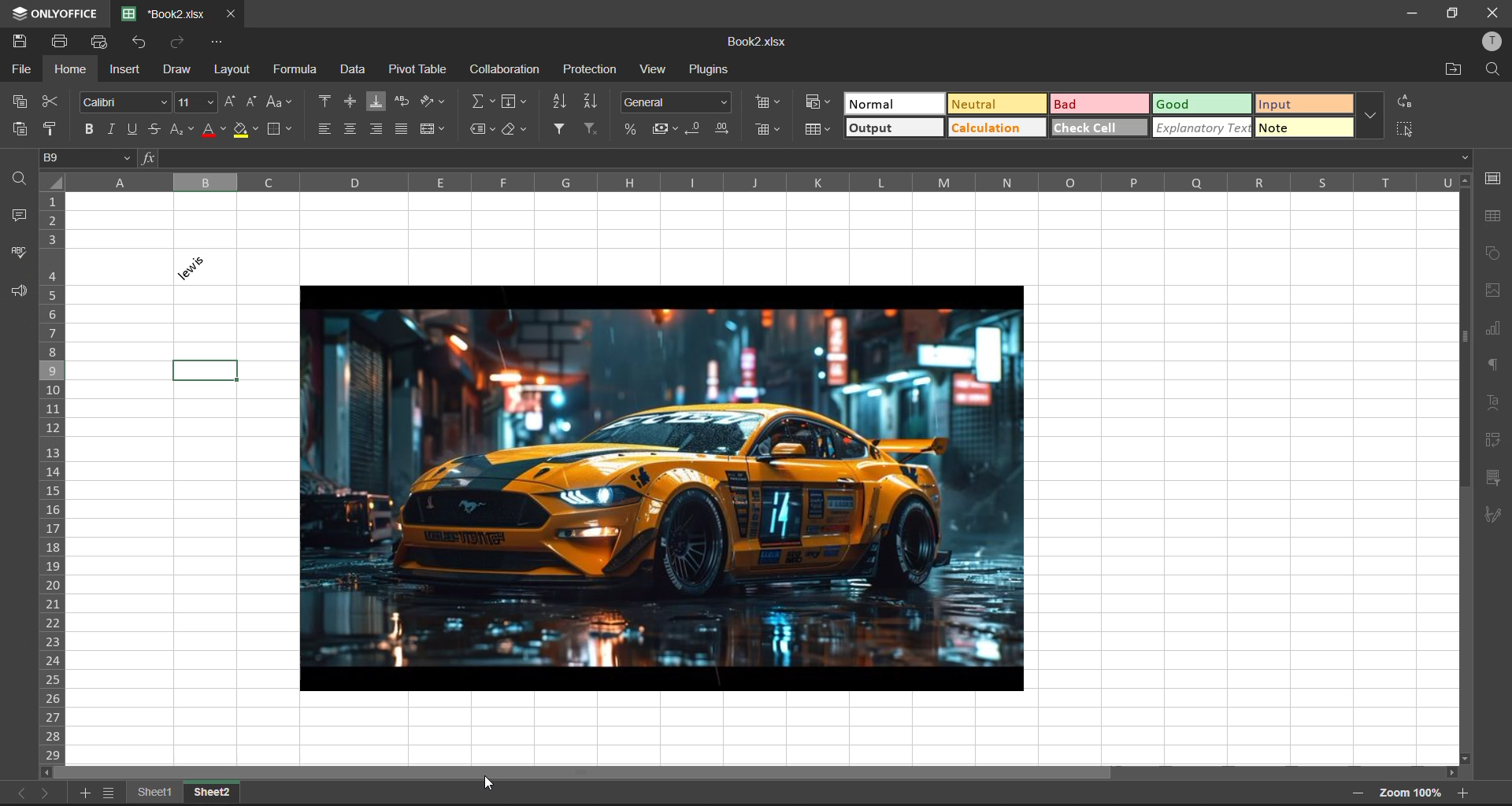  Describe the element at coordinates (1496, 254) in the screenshot. I see `shapes` at that location.